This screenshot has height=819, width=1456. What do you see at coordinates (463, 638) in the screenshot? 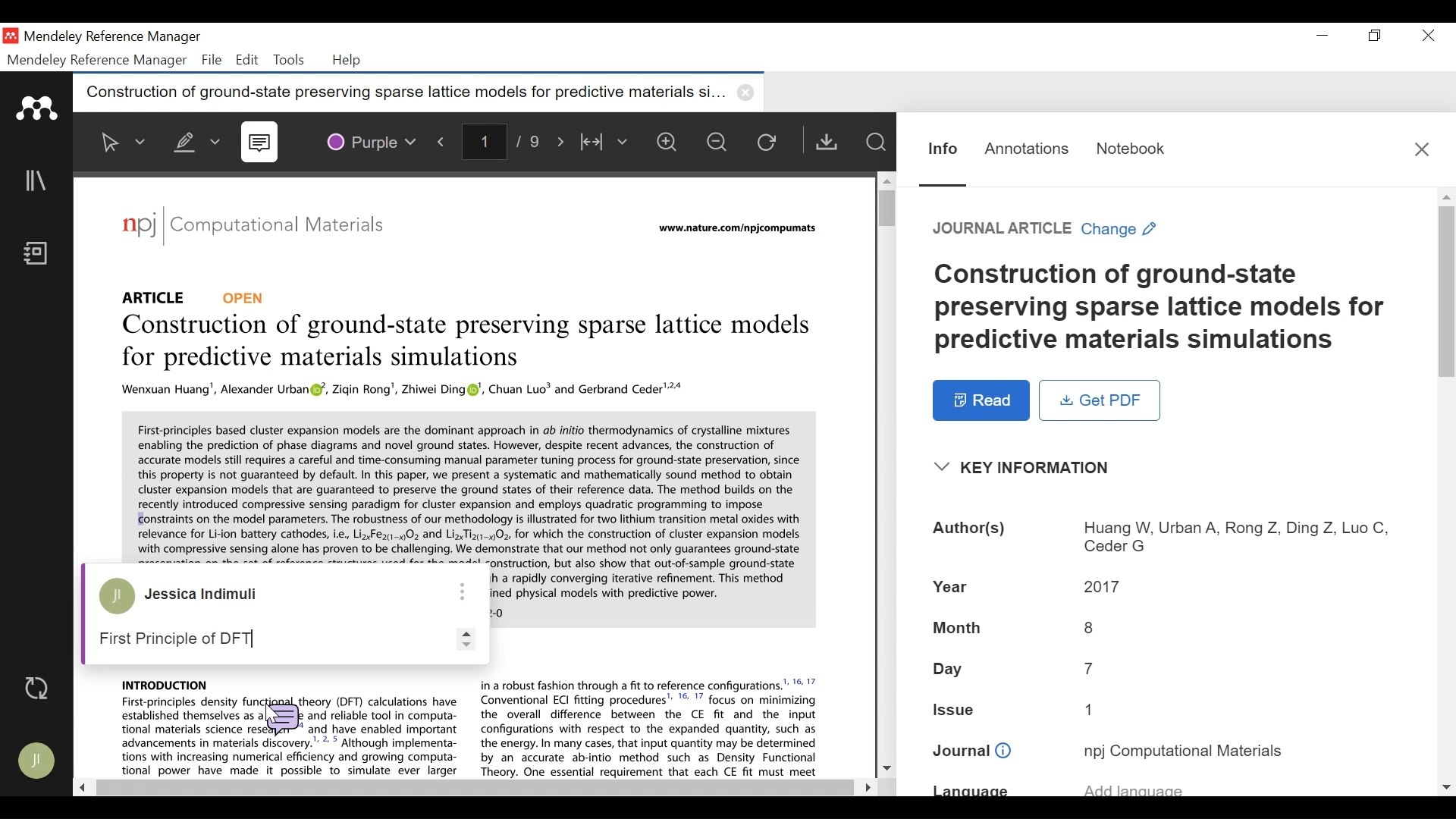
I see `Navigate up or down` at bounding box center [463, 638].